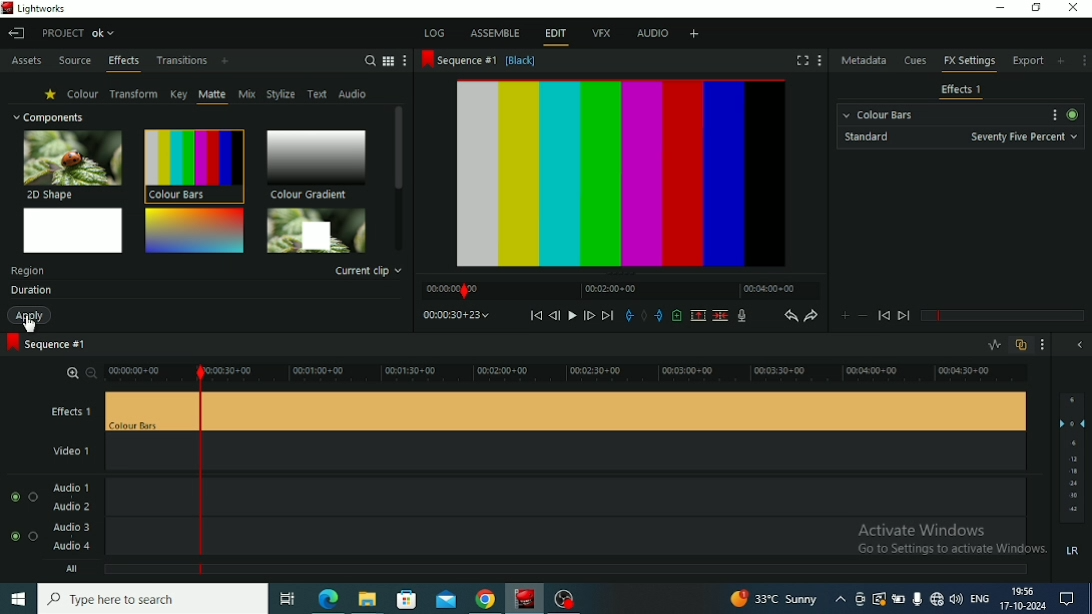 The image size is (1092, 614). What do you see at coordinates (522, 62) in the screenshot?
I see `Black` at bounding box center [522, 62].